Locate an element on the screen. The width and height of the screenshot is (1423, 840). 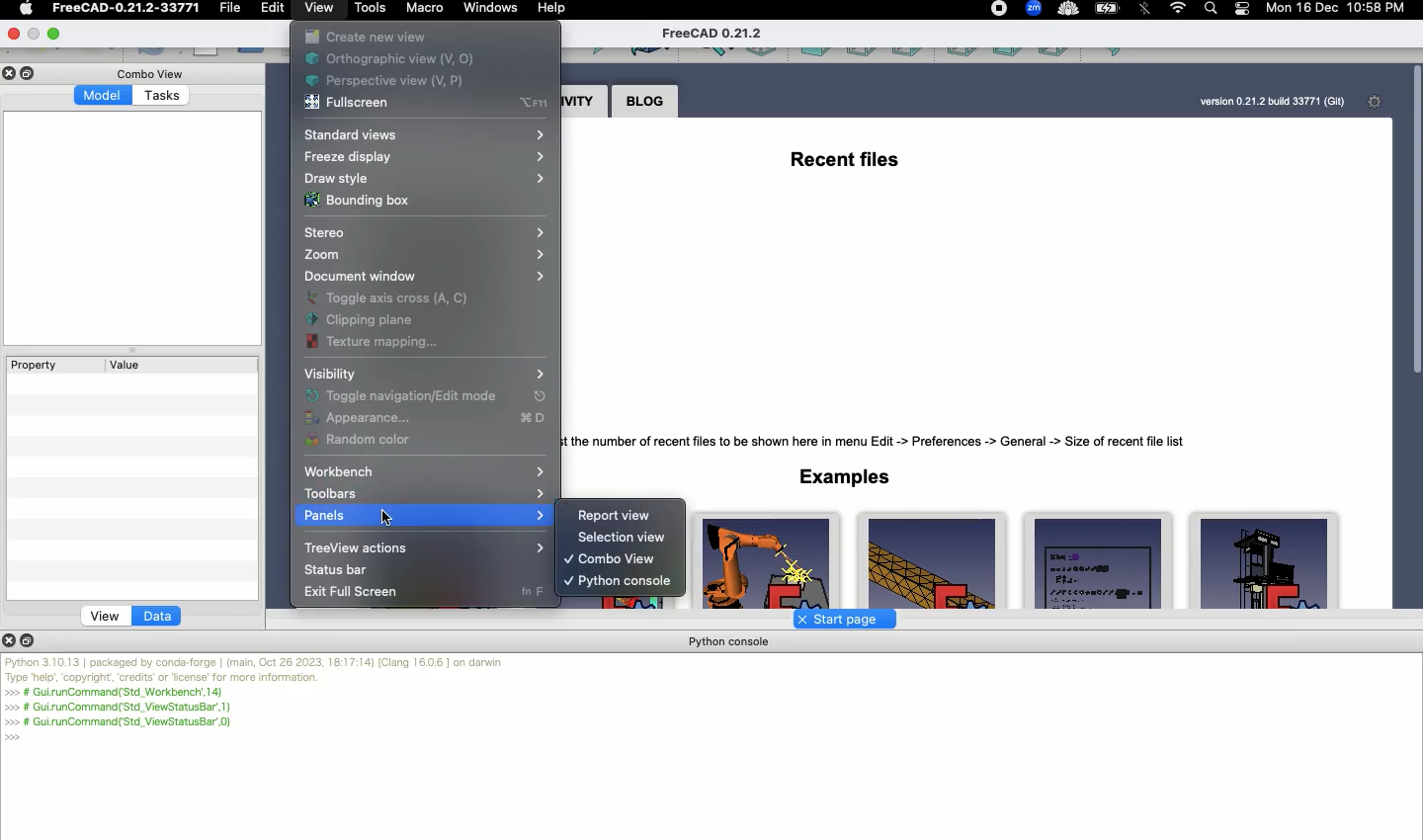
Data is located at coordinates (158, 617).